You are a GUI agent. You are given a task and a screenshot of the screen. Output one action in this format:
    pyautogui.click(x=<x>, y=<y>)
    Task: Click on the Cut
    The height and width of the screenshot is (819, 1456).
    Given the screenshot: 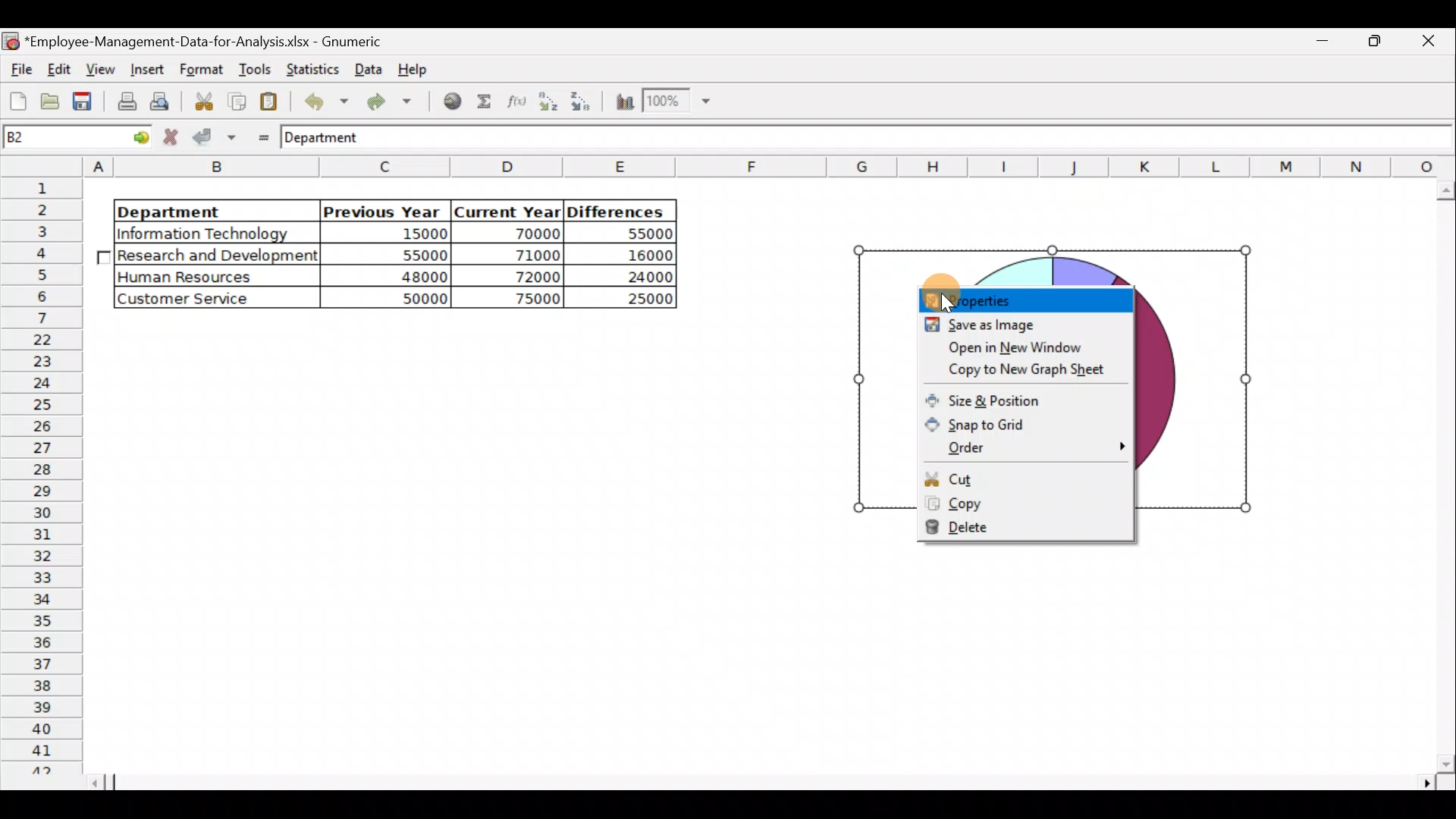 What is the action you would take?
    pyautogui.click(x=1000, y=478)
    